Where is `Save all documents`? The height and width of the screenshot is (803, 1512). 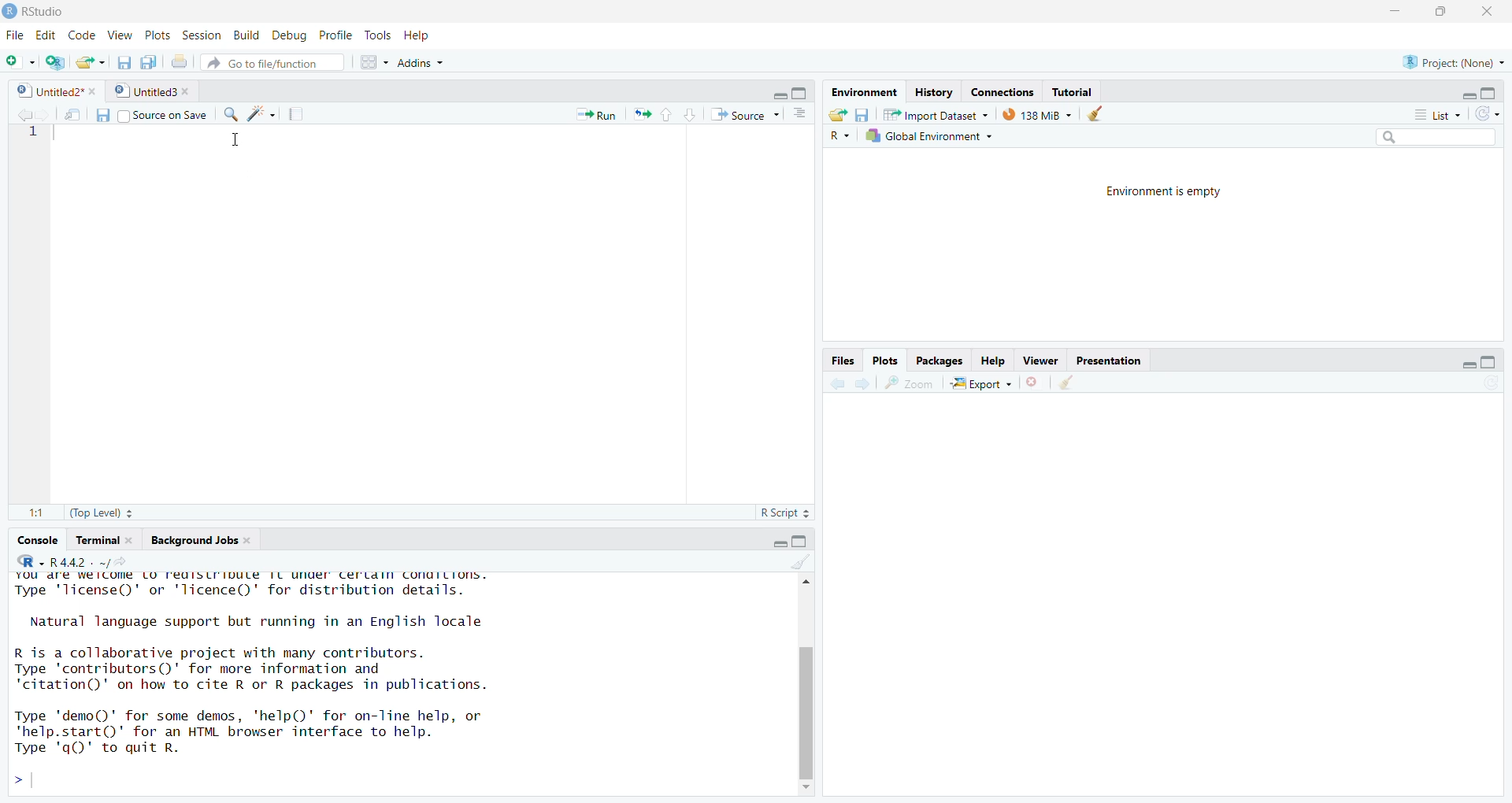 Save all documents is located at coordinates (152, 61).